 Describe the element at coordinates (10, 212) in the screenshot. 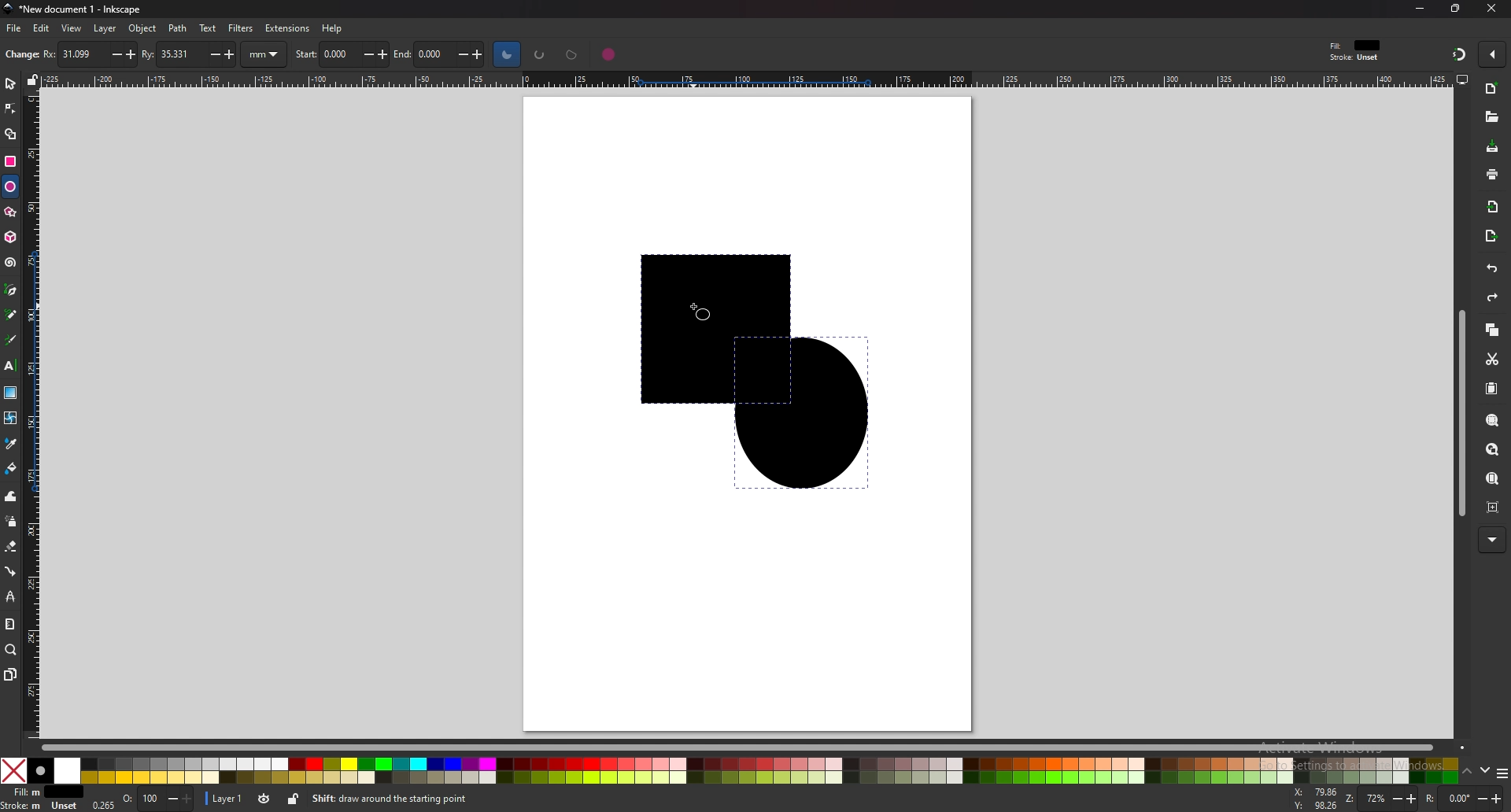

I see `star` at that location.